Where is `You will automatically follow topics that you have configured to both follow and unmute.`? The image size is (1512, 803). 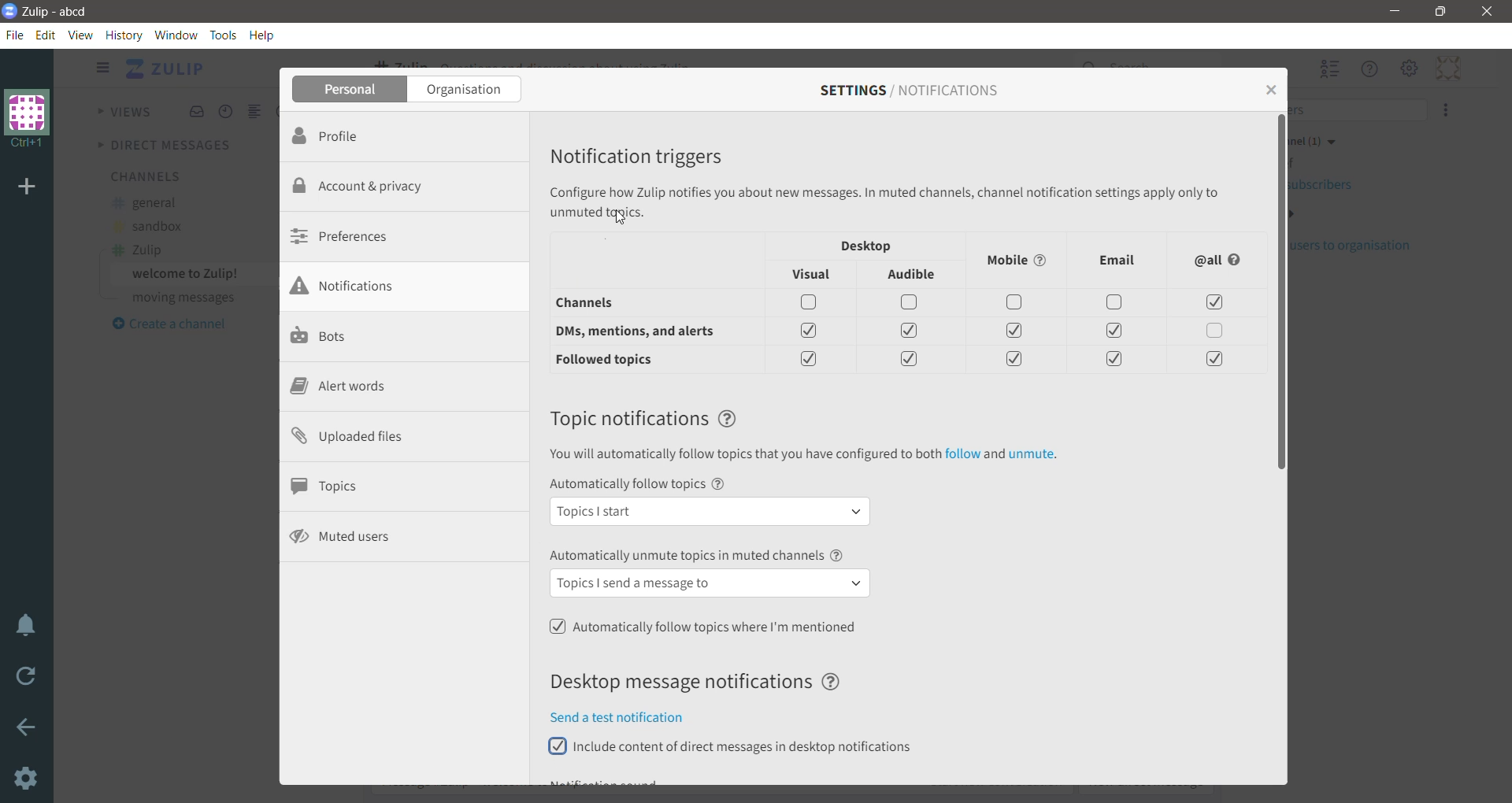
You will automatically follow topics that you have configured to both follow and unmute. is located at coordinates (802, 456).